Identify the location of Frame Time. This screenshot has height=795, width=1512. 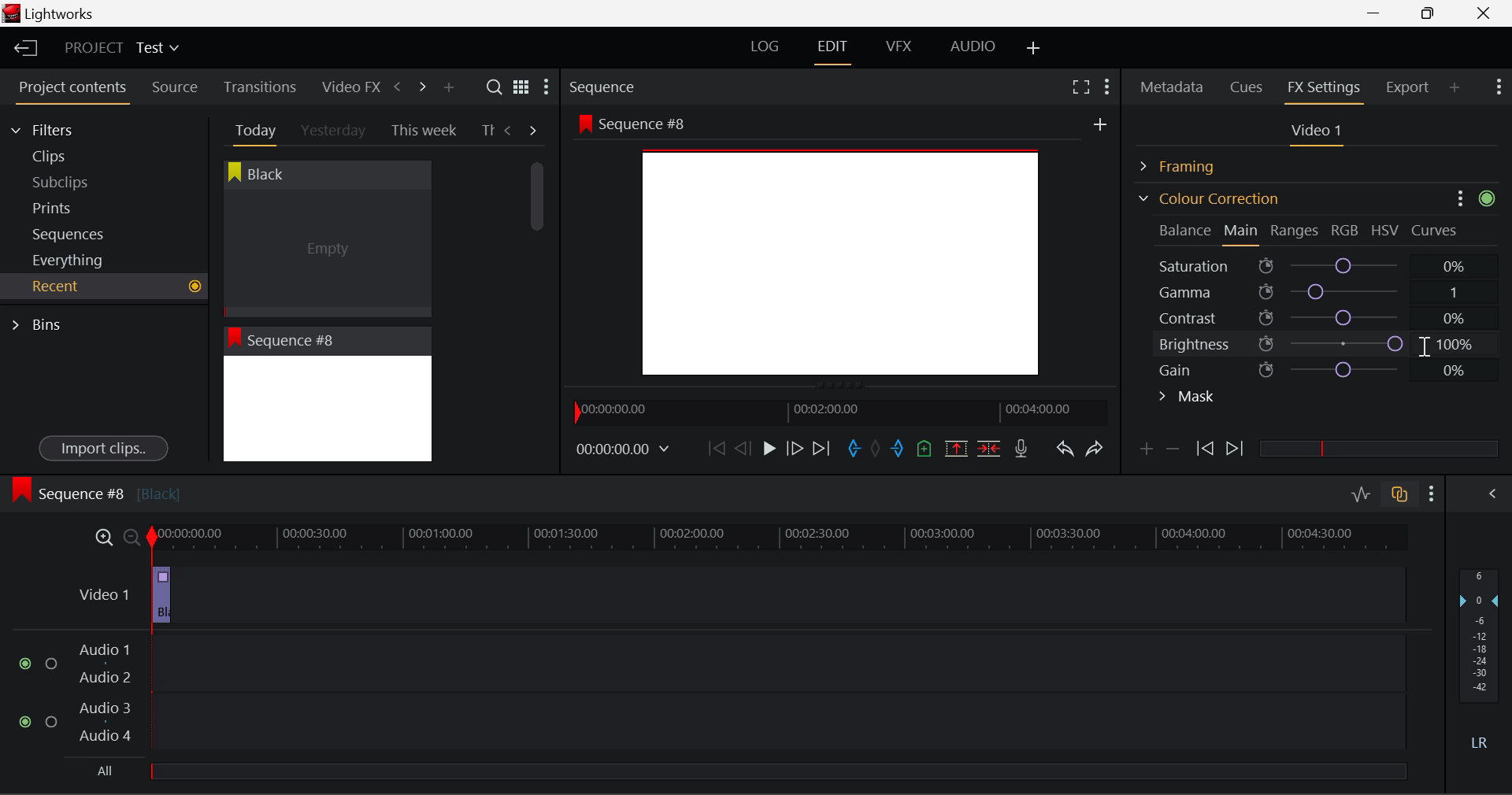
(624, 450).